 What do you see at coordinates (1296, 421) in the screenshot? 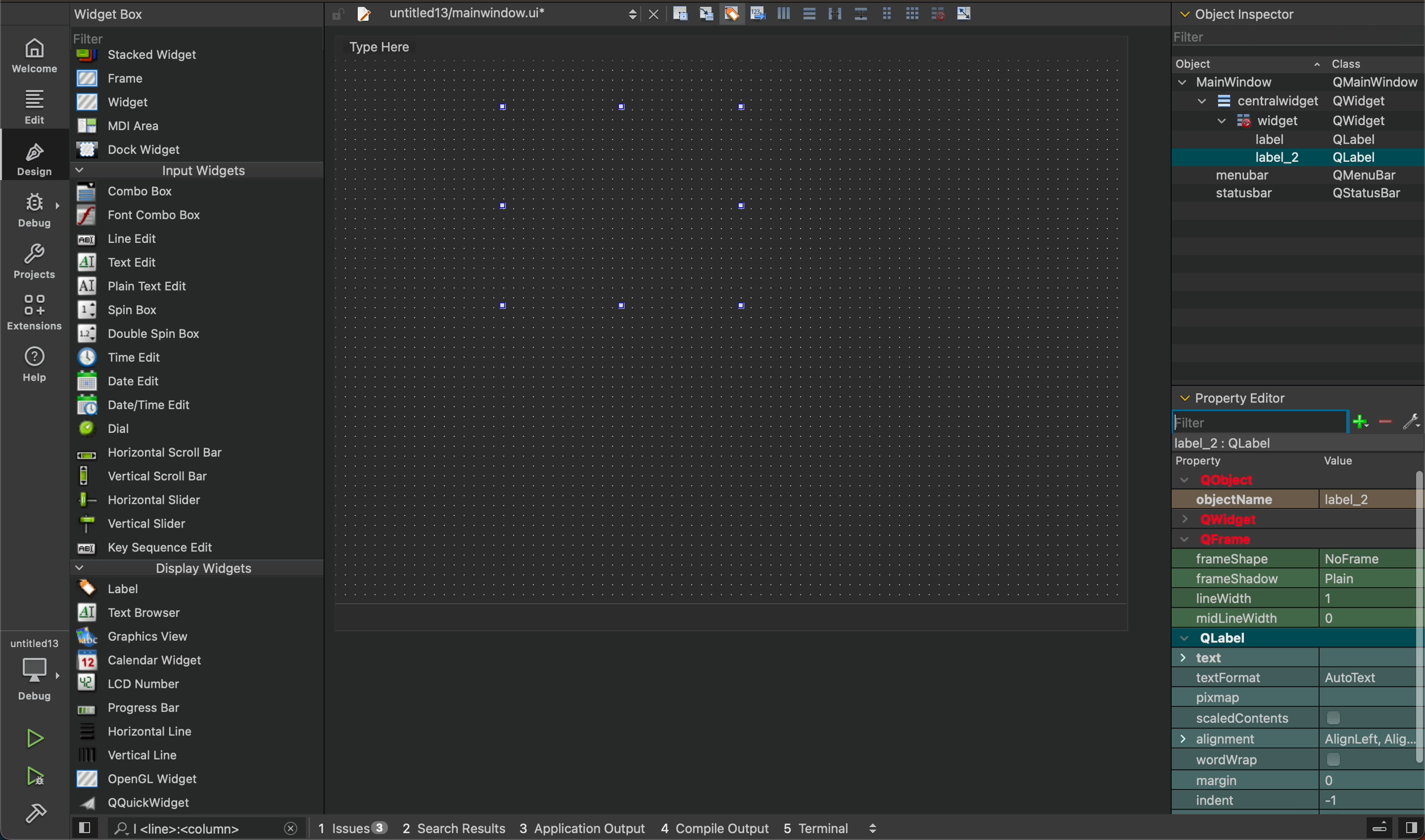
I see `filter` at bounding box center [1296, 421].